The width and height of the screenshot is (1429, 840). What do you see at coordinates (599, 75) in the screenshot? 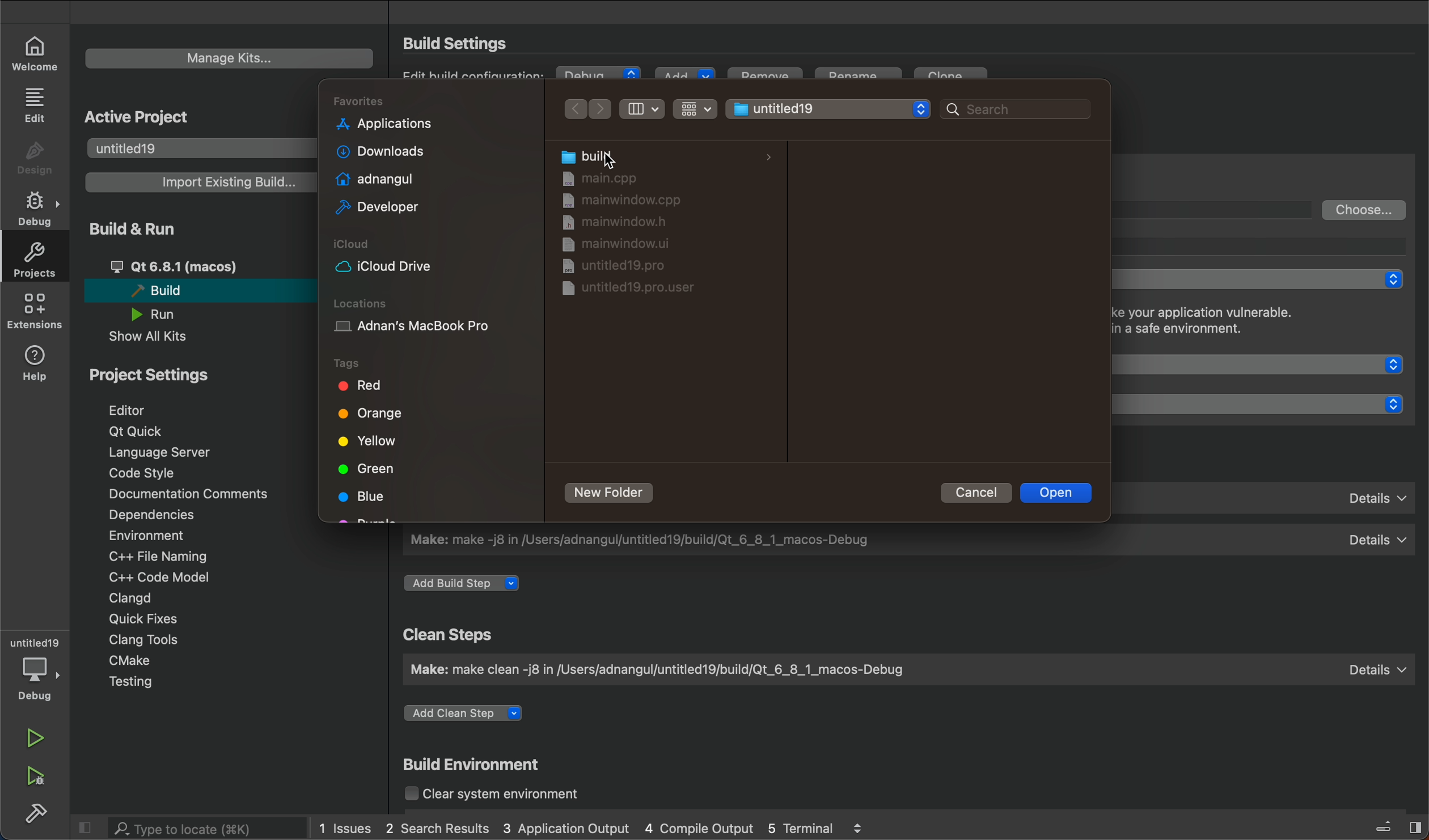
I see `debug` at bounding box center [599, 75].